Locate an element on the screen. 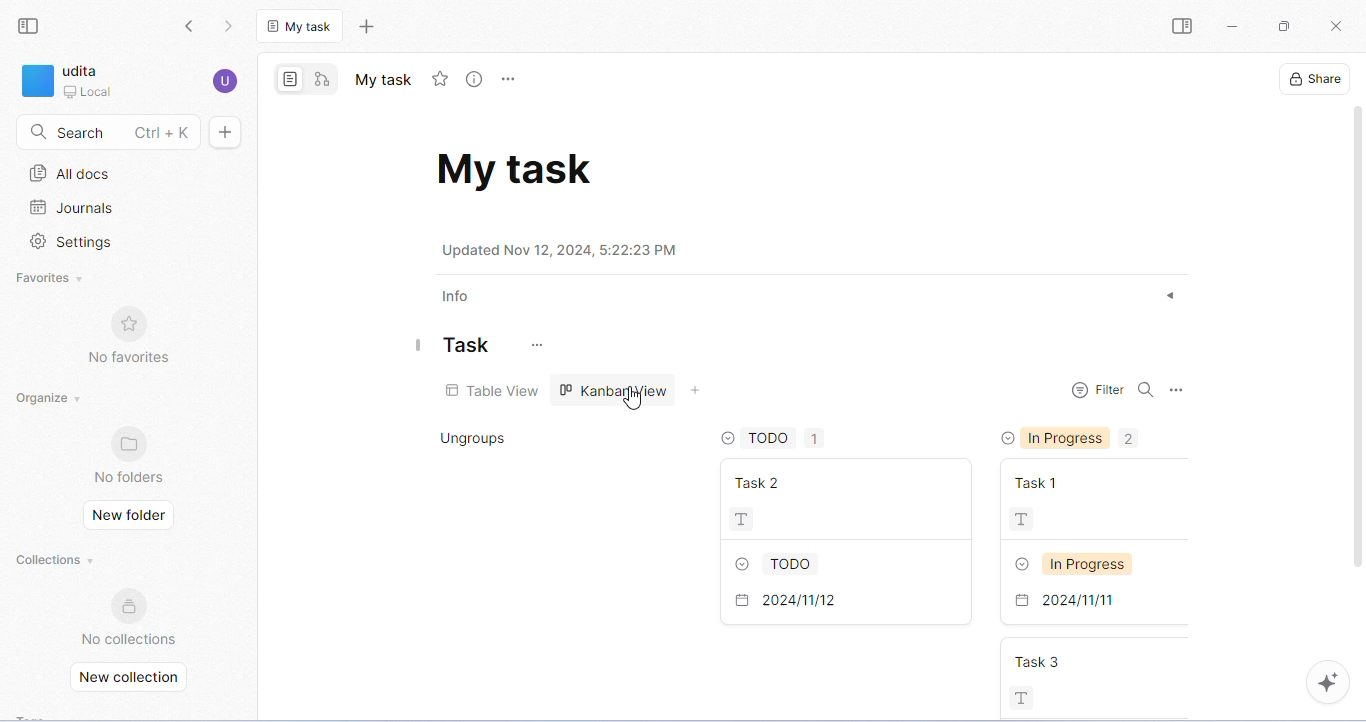  go forward is located at coordinates (234, 25).